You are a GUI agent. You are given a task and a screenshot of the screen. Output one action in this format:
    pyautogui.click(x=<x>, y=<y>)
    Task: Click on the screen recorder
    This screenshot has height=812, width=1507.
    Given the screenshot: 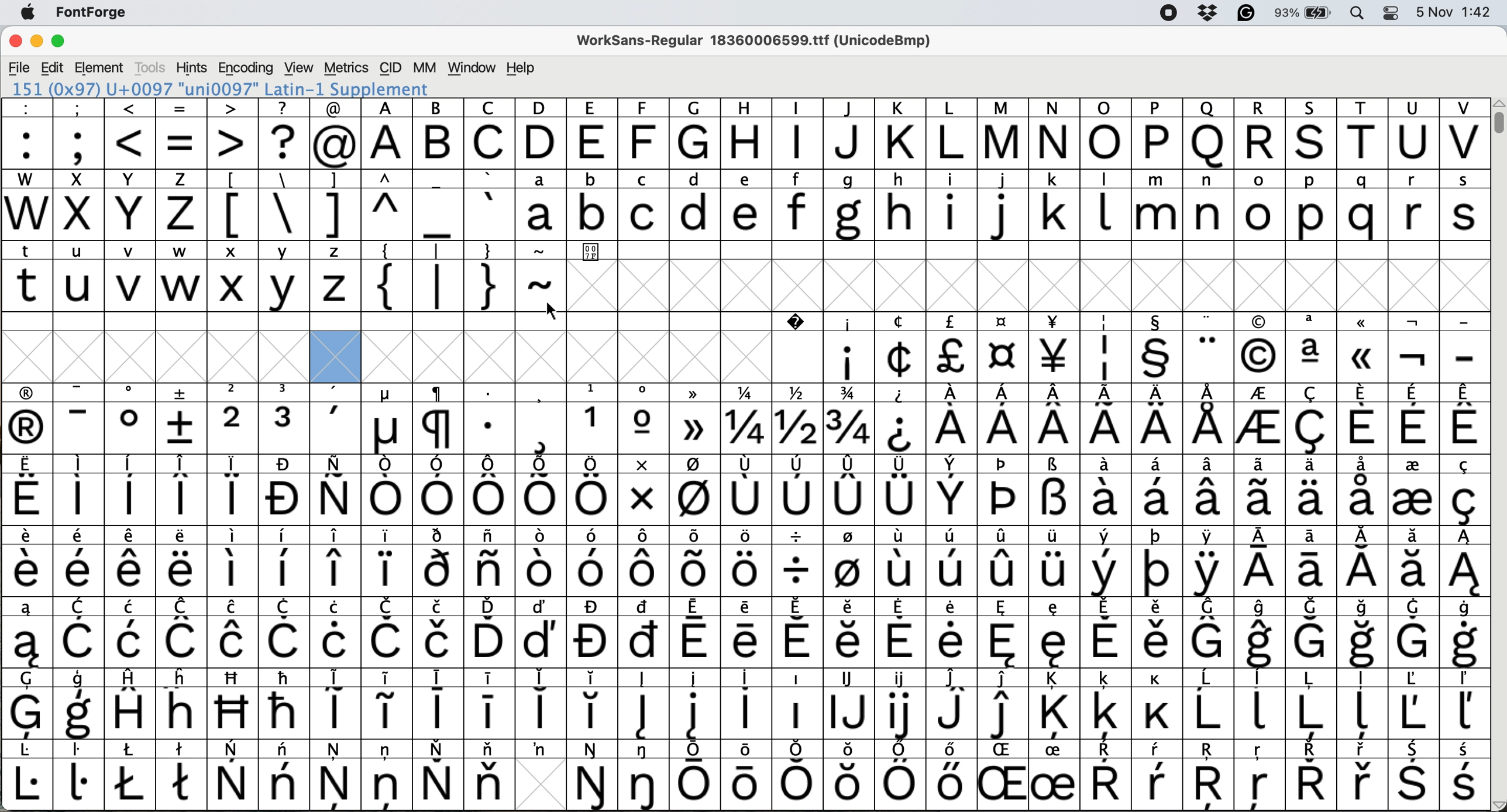 What is the action you would take?
    pyautogui.click(x=1167, y=14)
    